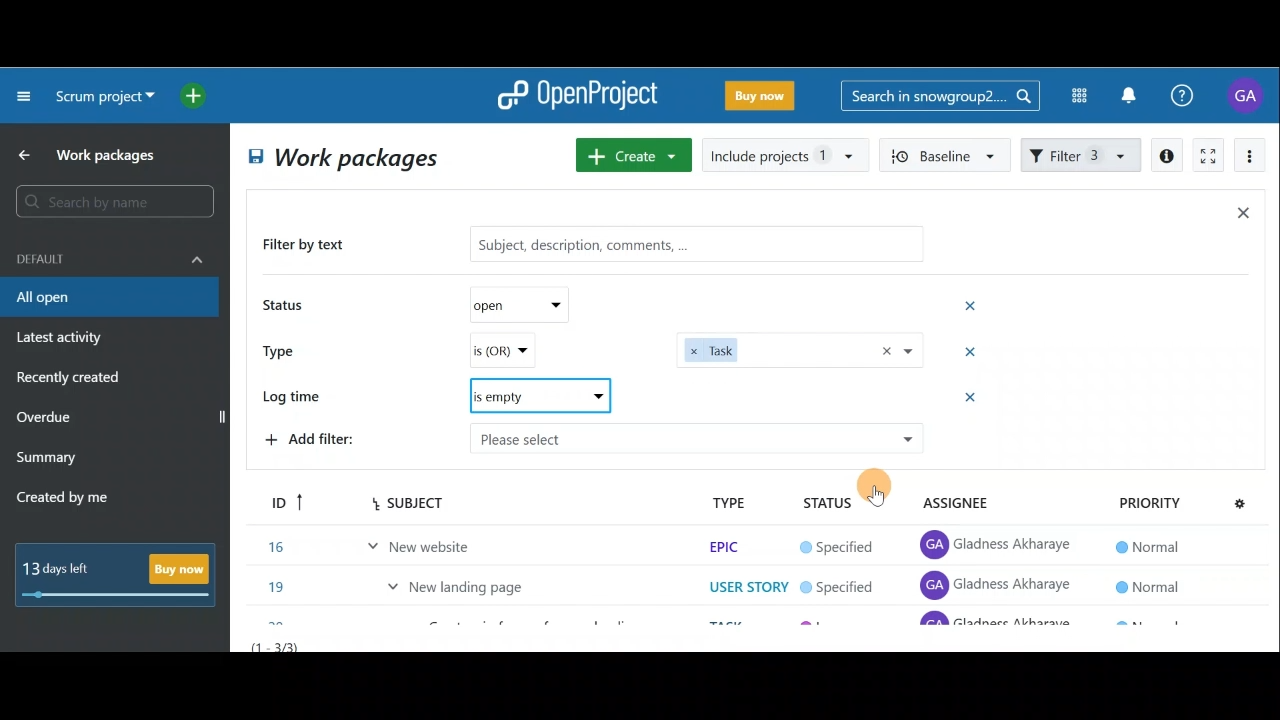  Describe the element at coordinates (1146, 540) in the screenshot. I see `normal` at that location.